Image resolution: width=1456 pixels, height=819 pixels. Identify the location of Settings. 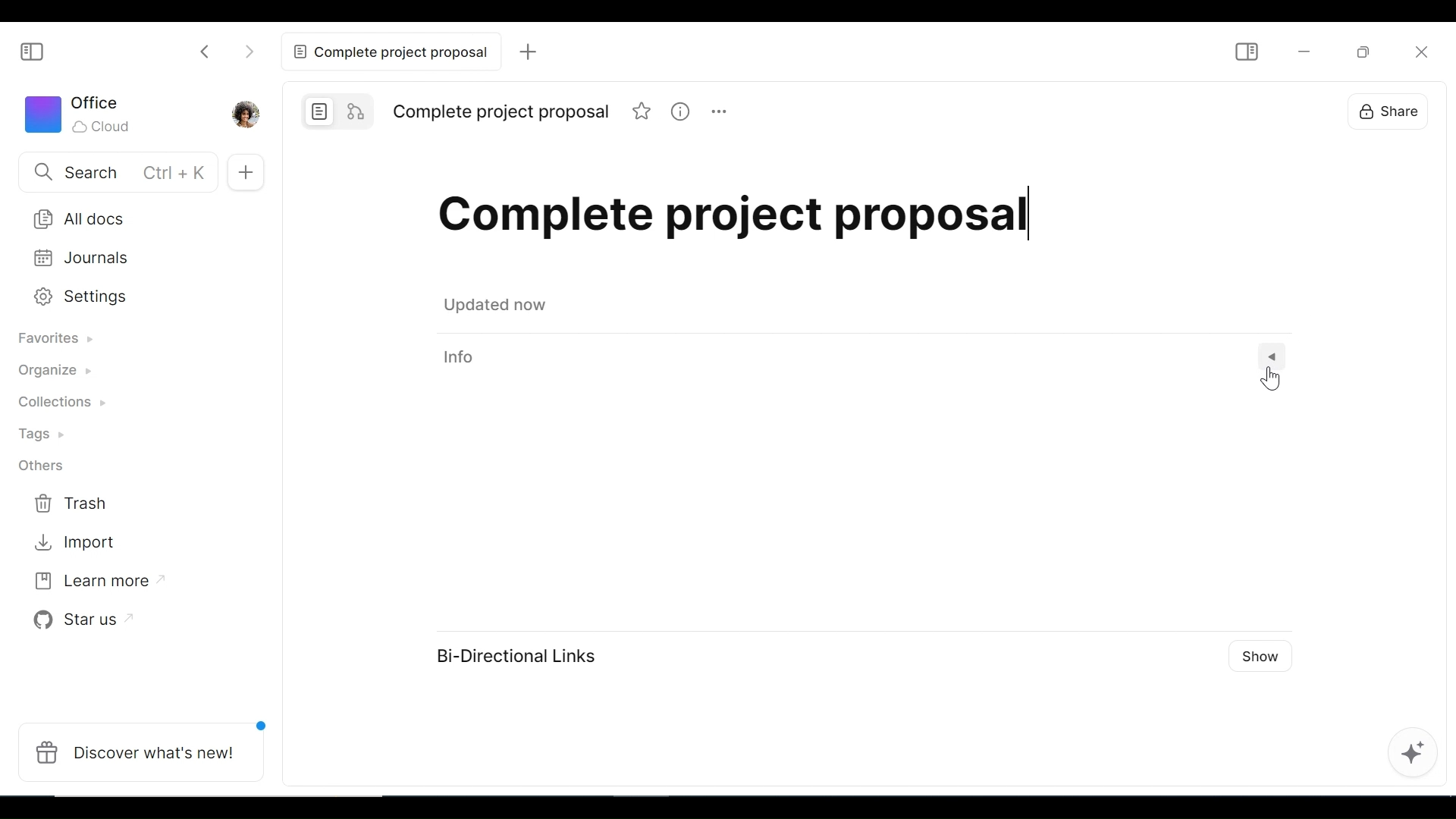
(128, 297).